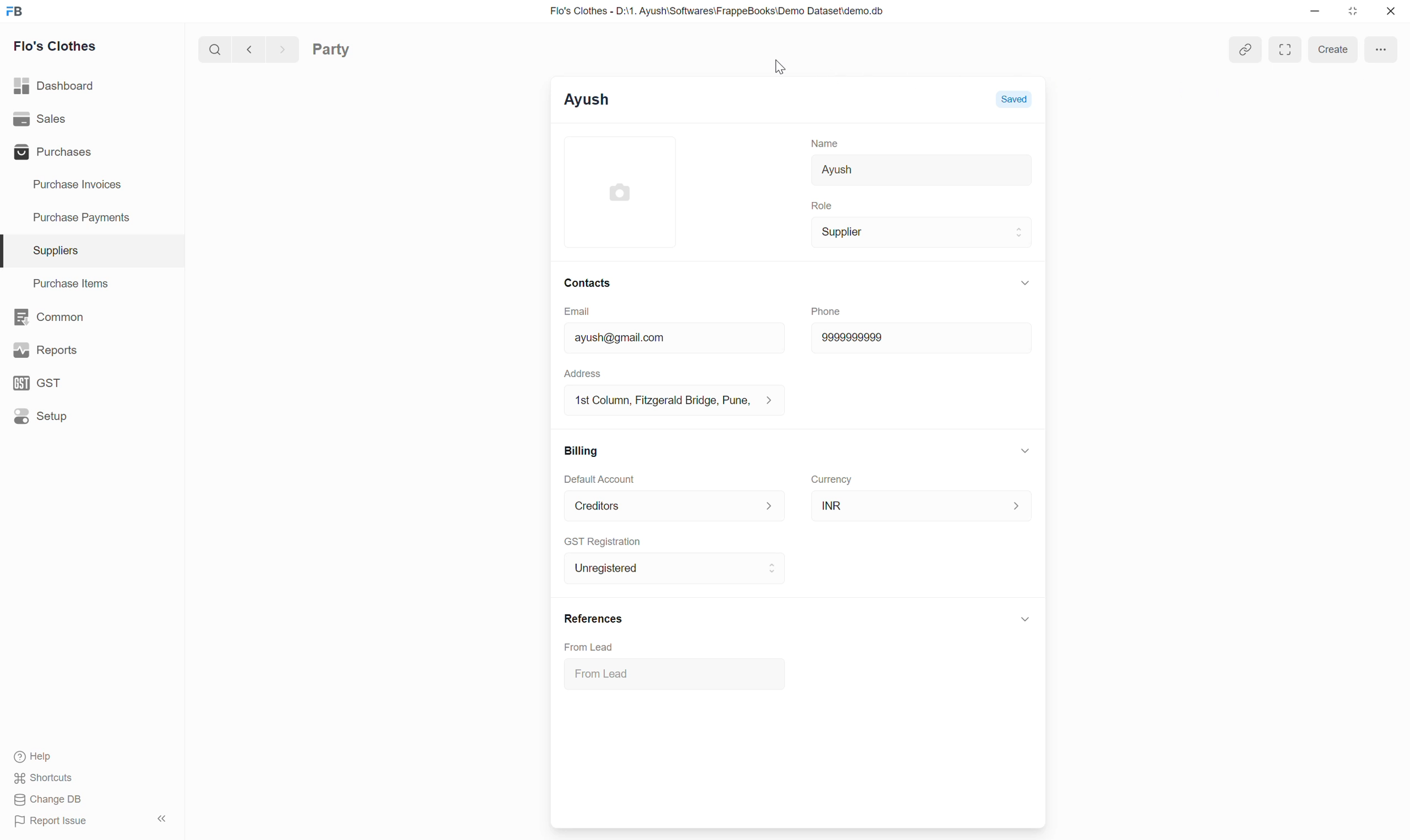 This screenshot has height=840, width=1410. Describe the element at coordinates (283, 49) in the screenshot. I see `Next` at that location.